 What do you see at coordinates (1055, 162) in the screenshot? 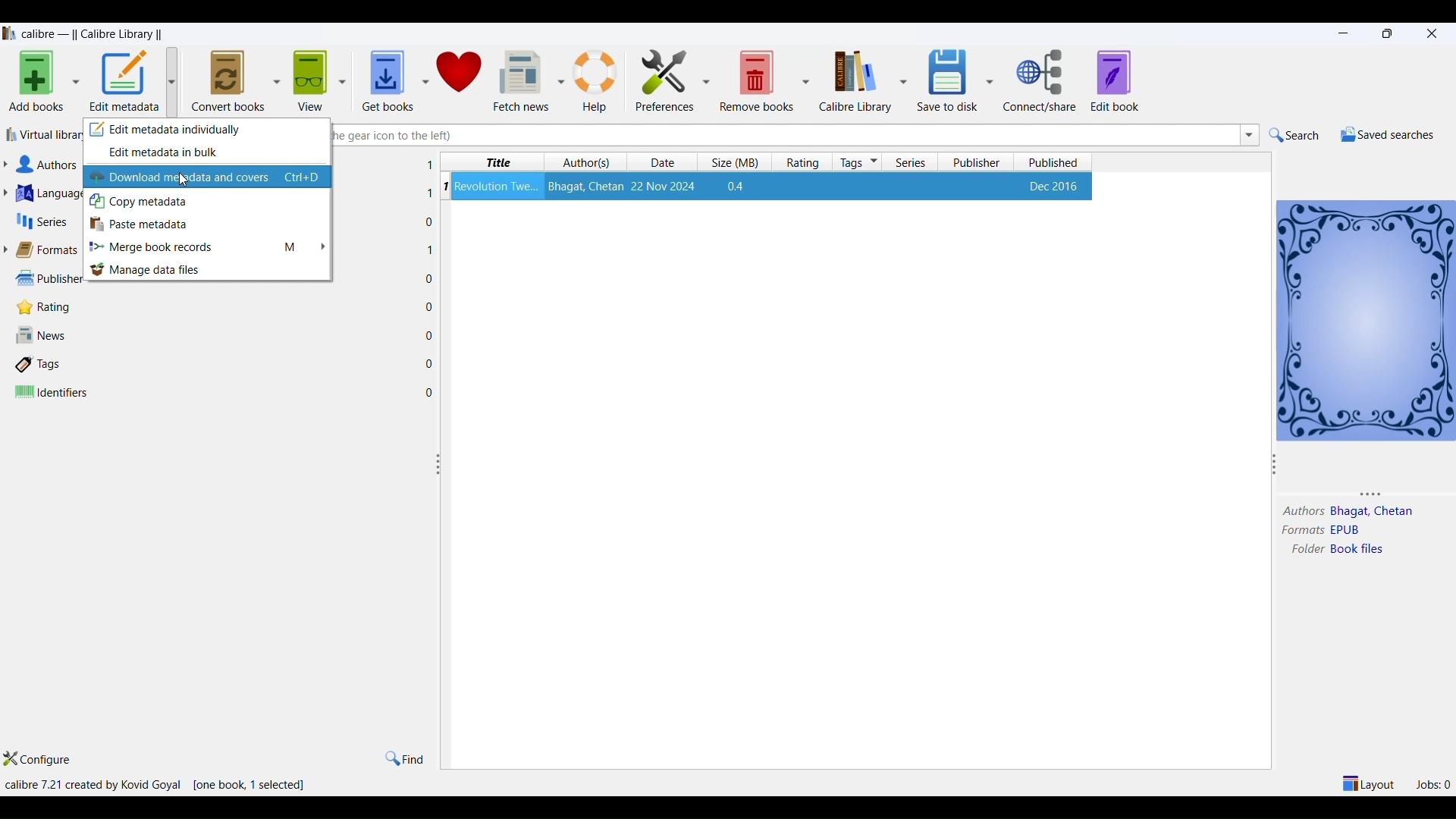
I see `published` at bounding box center [1055, 162].